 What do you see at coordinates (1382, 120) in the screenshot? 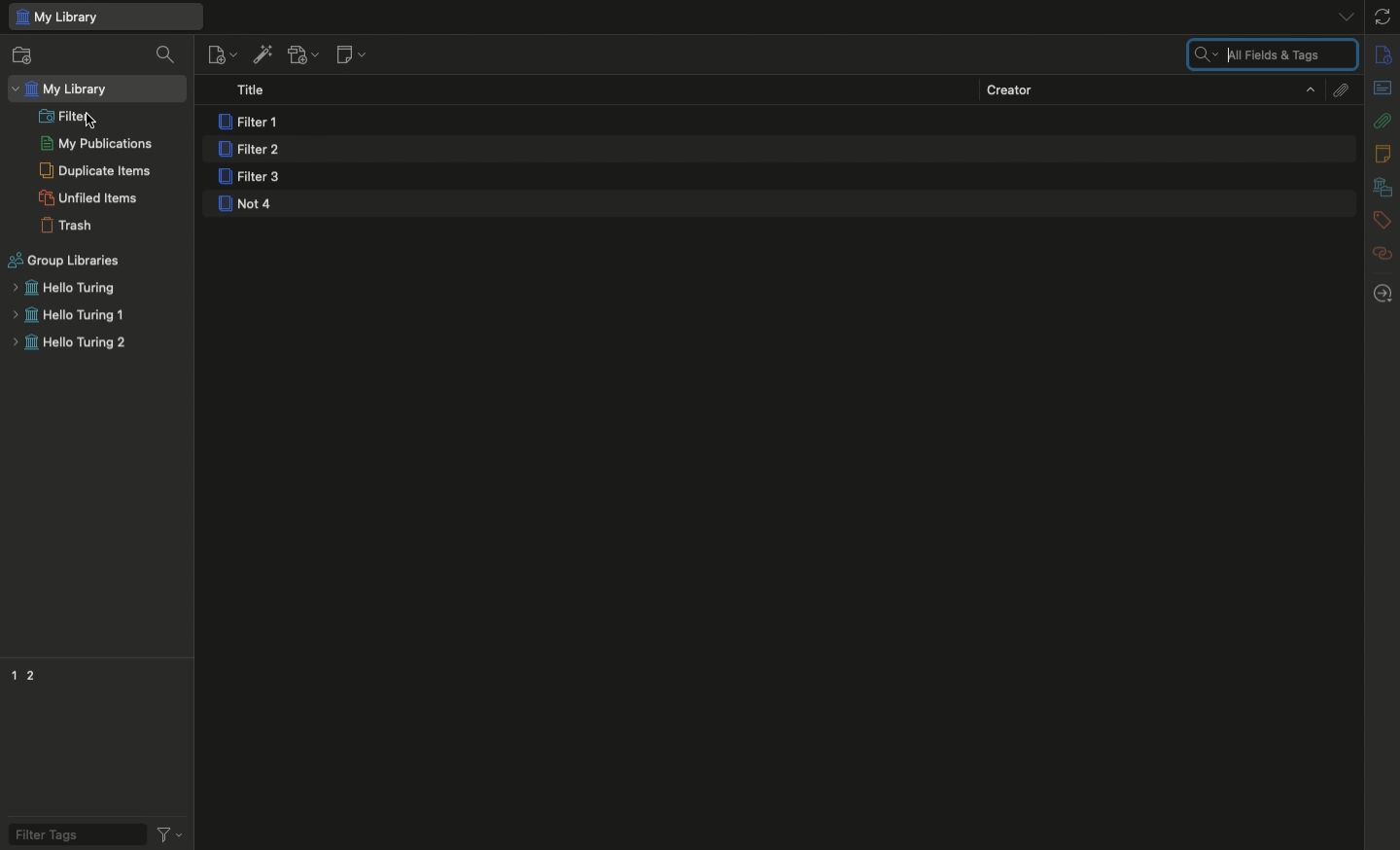
I see `Attachments` at bounding box center [1382, 120].